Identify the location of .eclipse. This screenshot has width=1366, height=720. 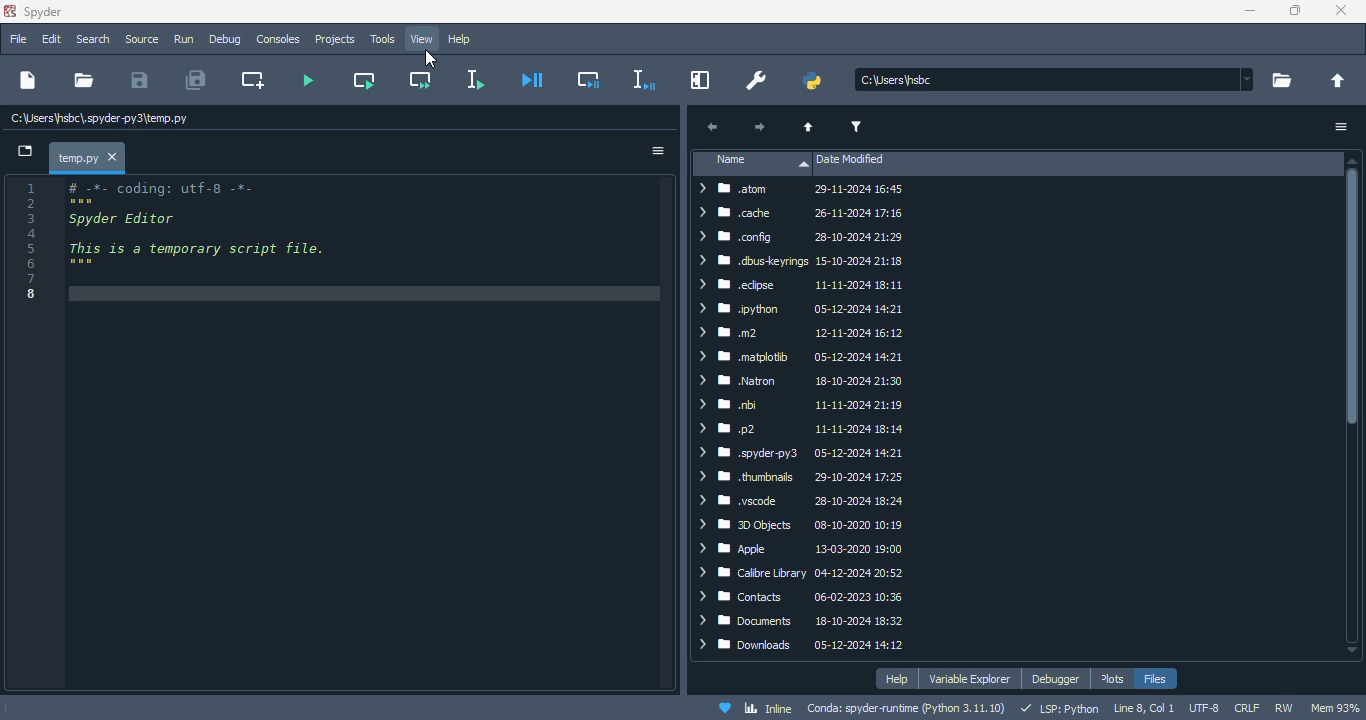
(801, 285).